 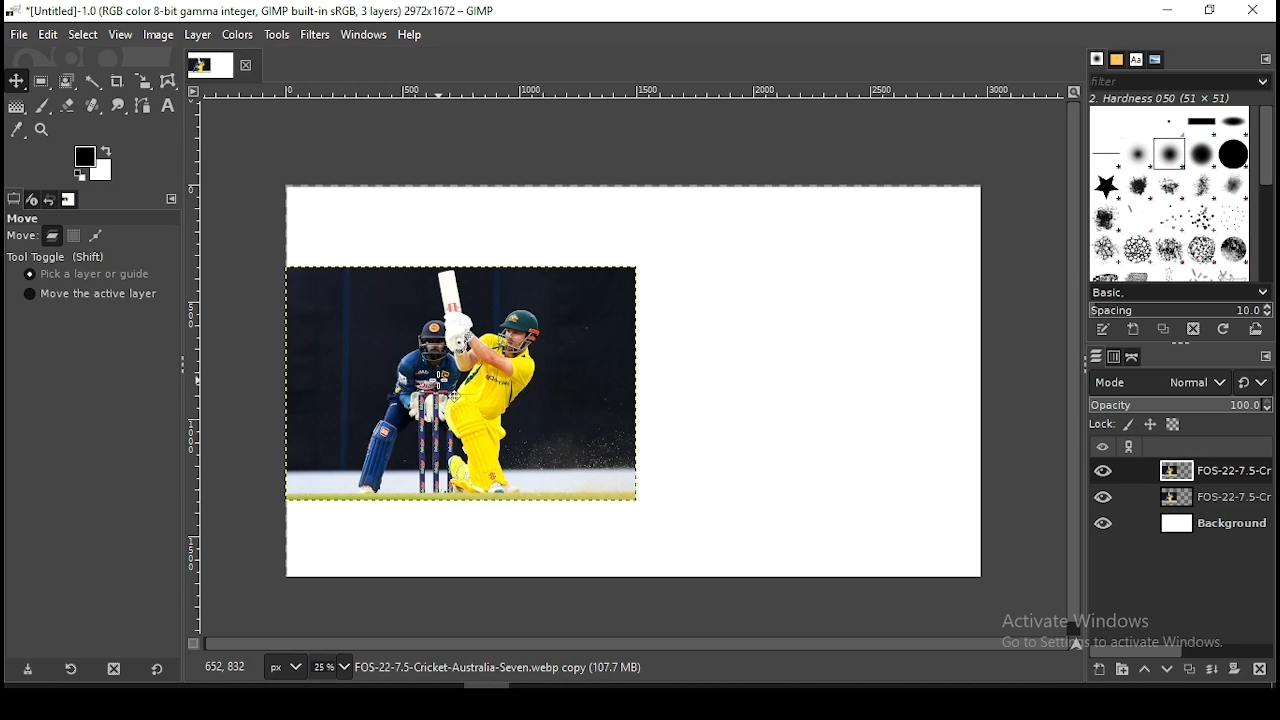 What do you see at coordinates (248, 12) in the screenshot?
I see `icon and file name` at bounding box center [248, 12].